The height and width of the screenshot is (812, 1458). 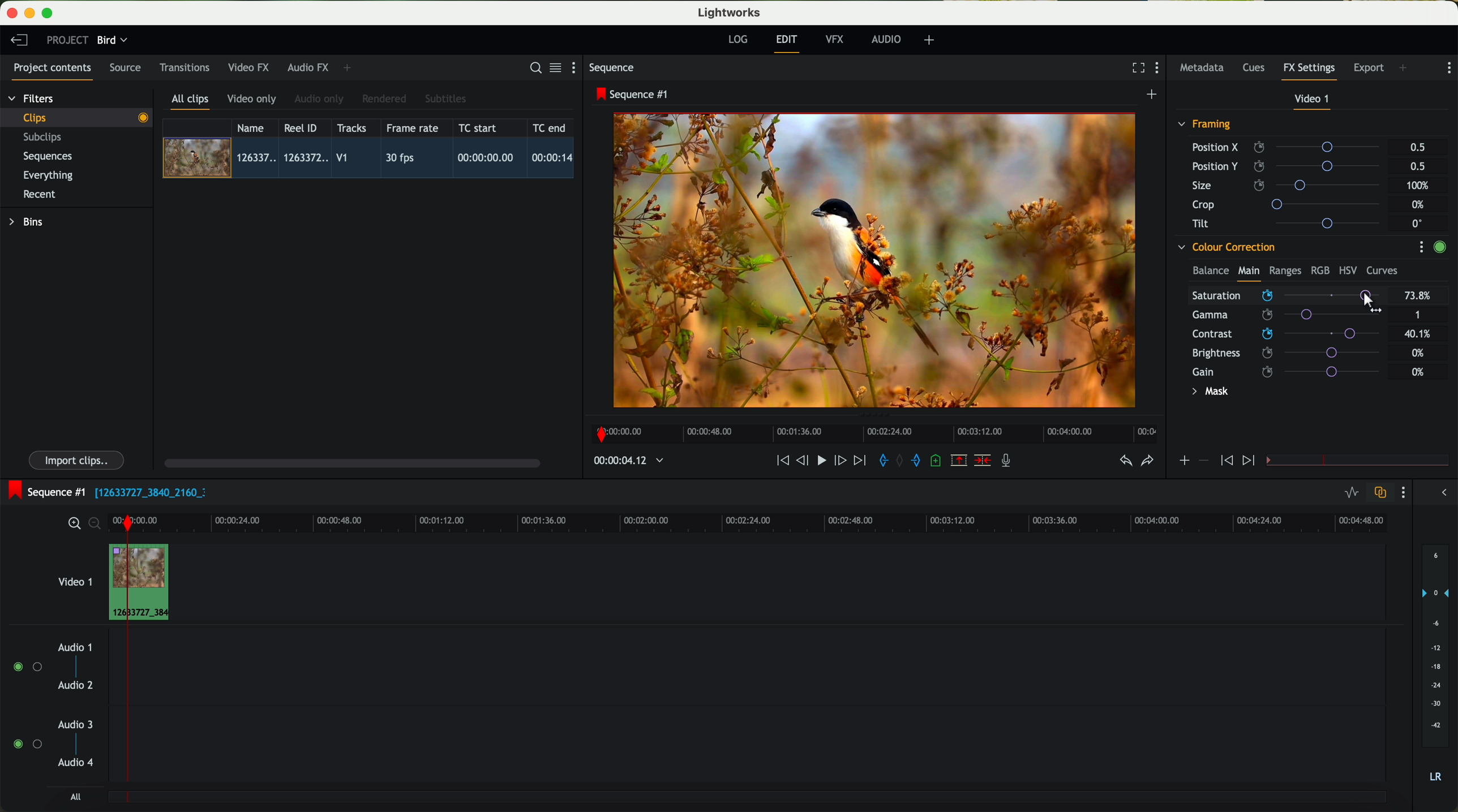 I want to click on bins, so click(x=28, y=222).